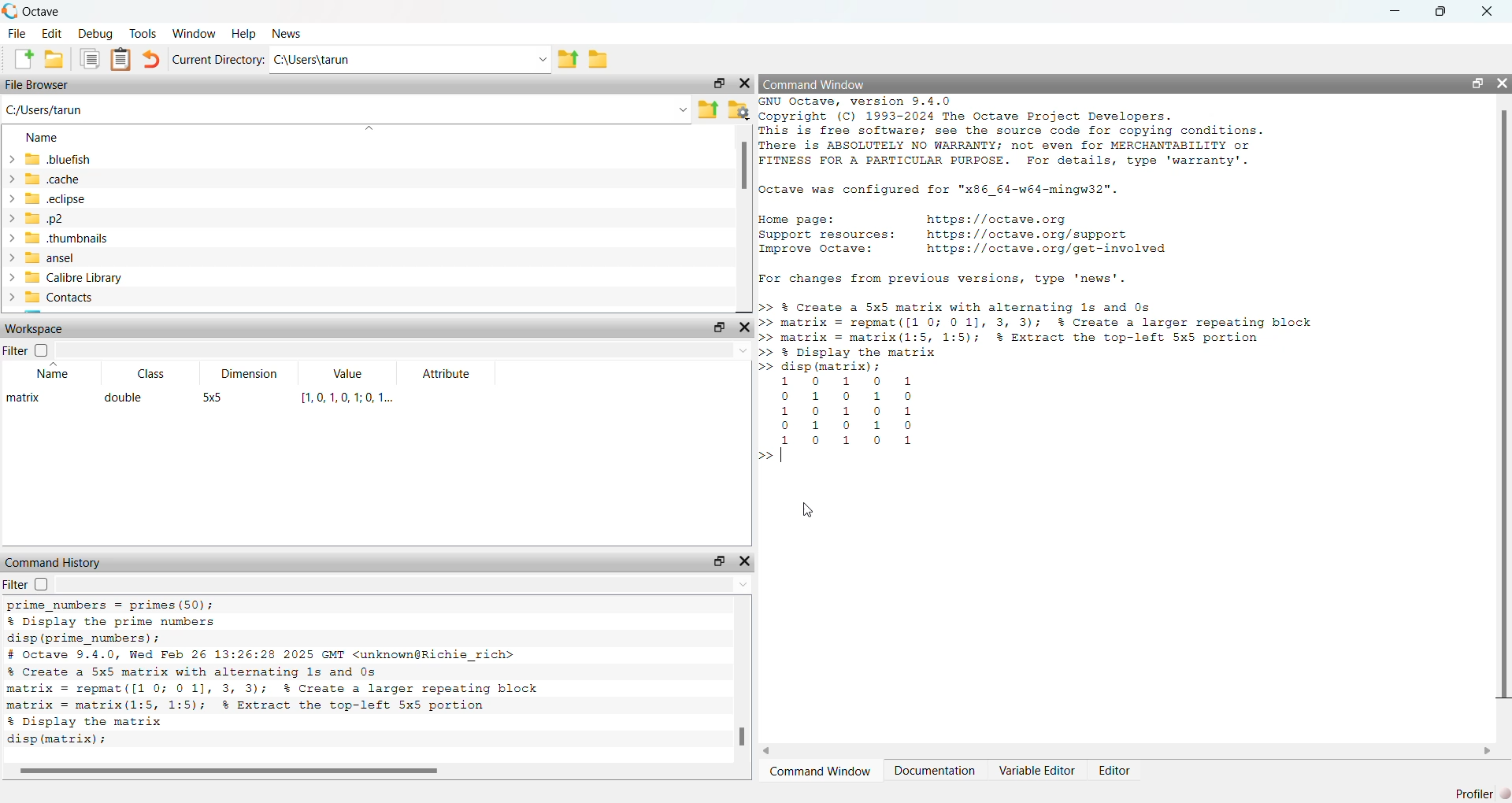 The width and height of the screenshot is (1512, 803). I want to click on File, so click(17, 33).